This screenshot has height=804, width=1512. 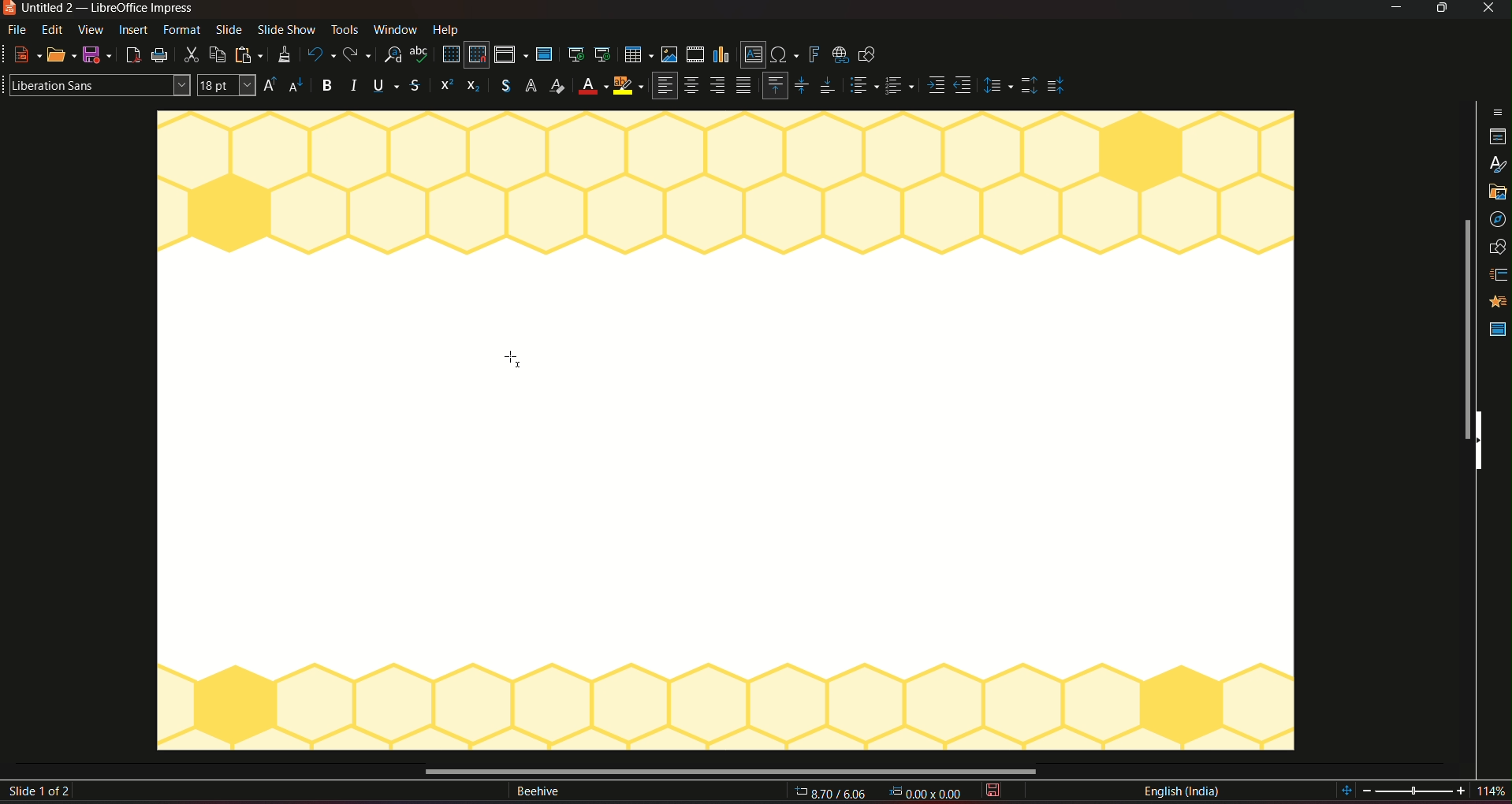 What do you see at coordinates (386, 84) in the screenshot?
I see `Underline` at bounding box center [386, 84].